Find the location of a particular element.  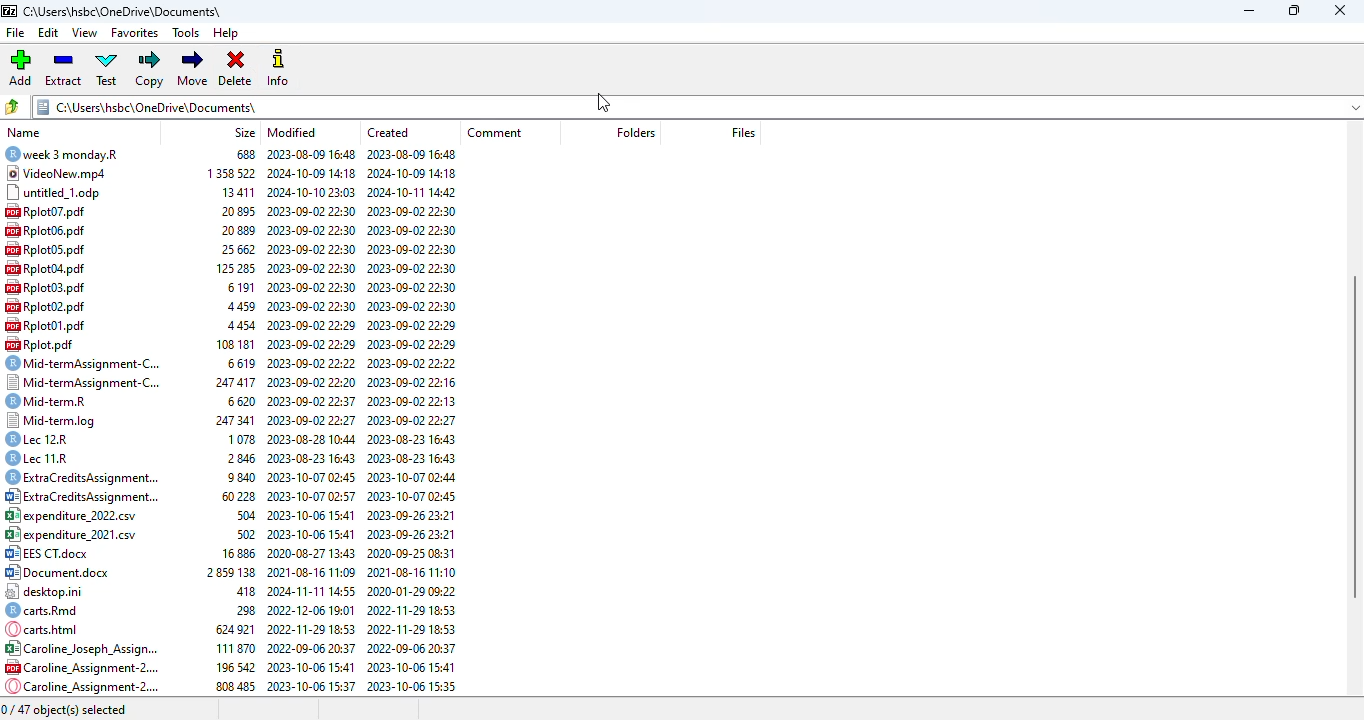

2022-09-06 20:37 is located at coordinates (411, 649).